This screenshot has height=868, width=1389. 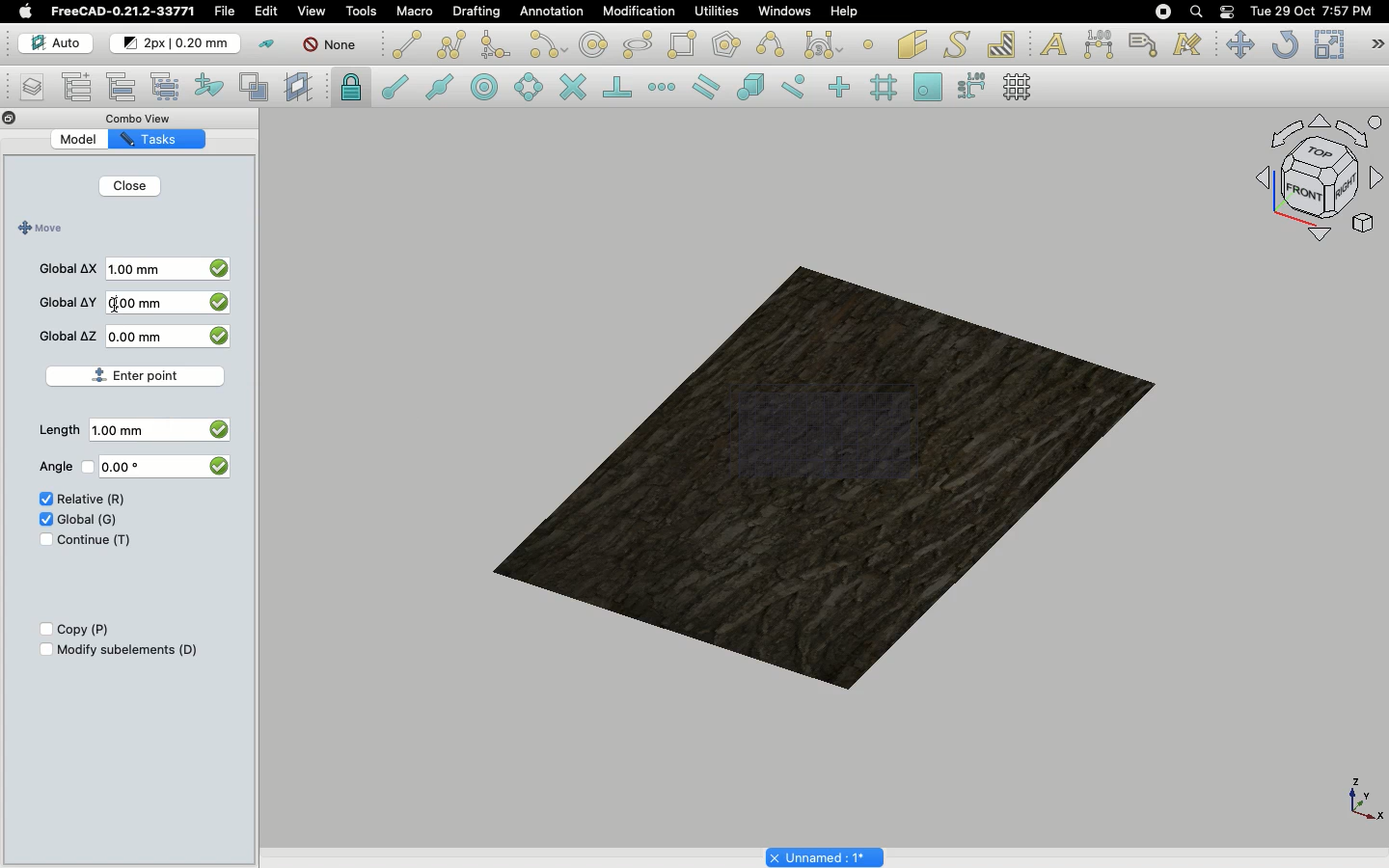 What do you see at coordinates (441, 90) in the screenshot?
I see `Snap midpoint` at bounding box center [441, 90].